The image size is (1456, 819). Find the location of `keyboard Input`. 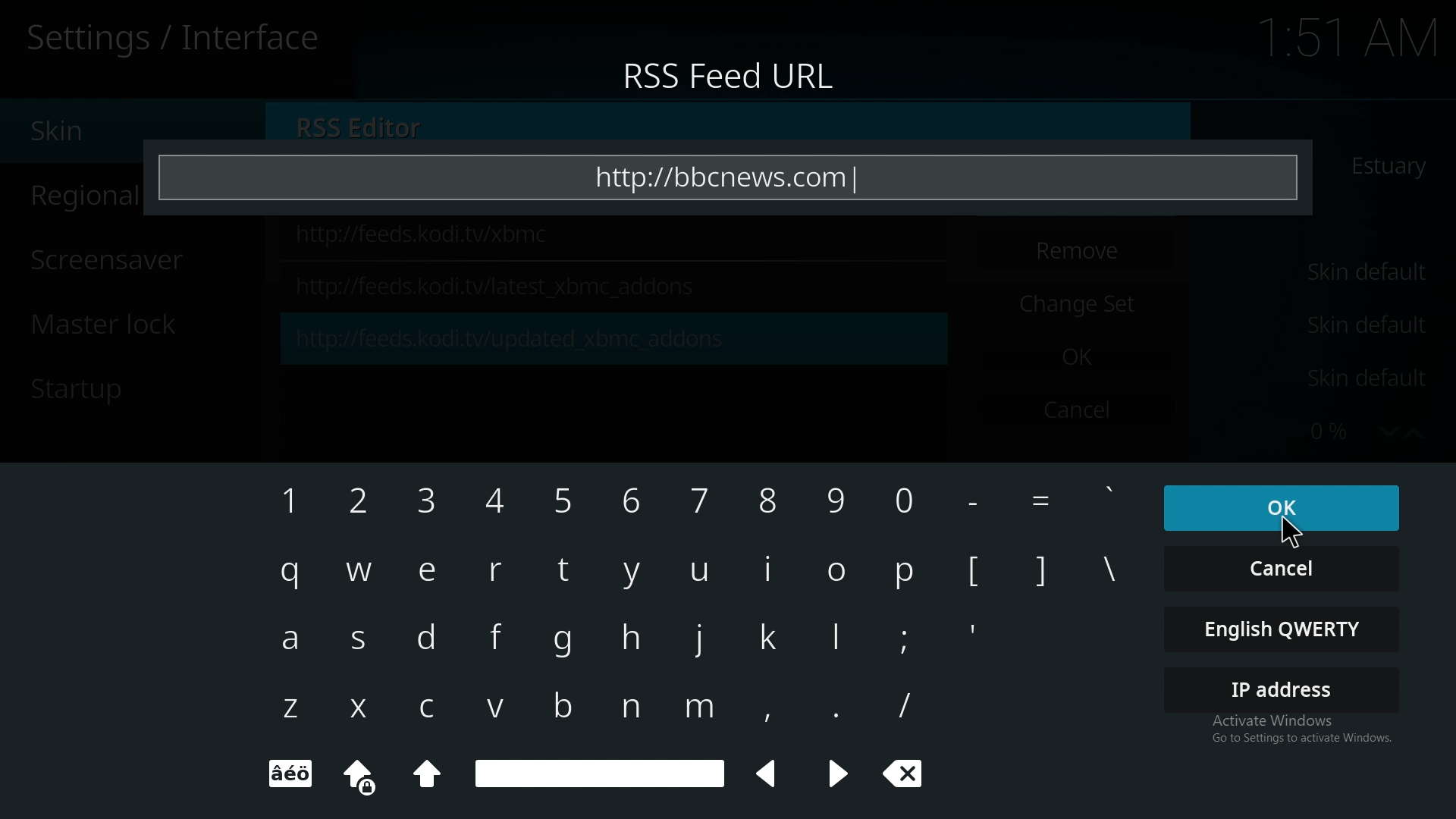

keyboard Input is located at coordinates (904, 639).